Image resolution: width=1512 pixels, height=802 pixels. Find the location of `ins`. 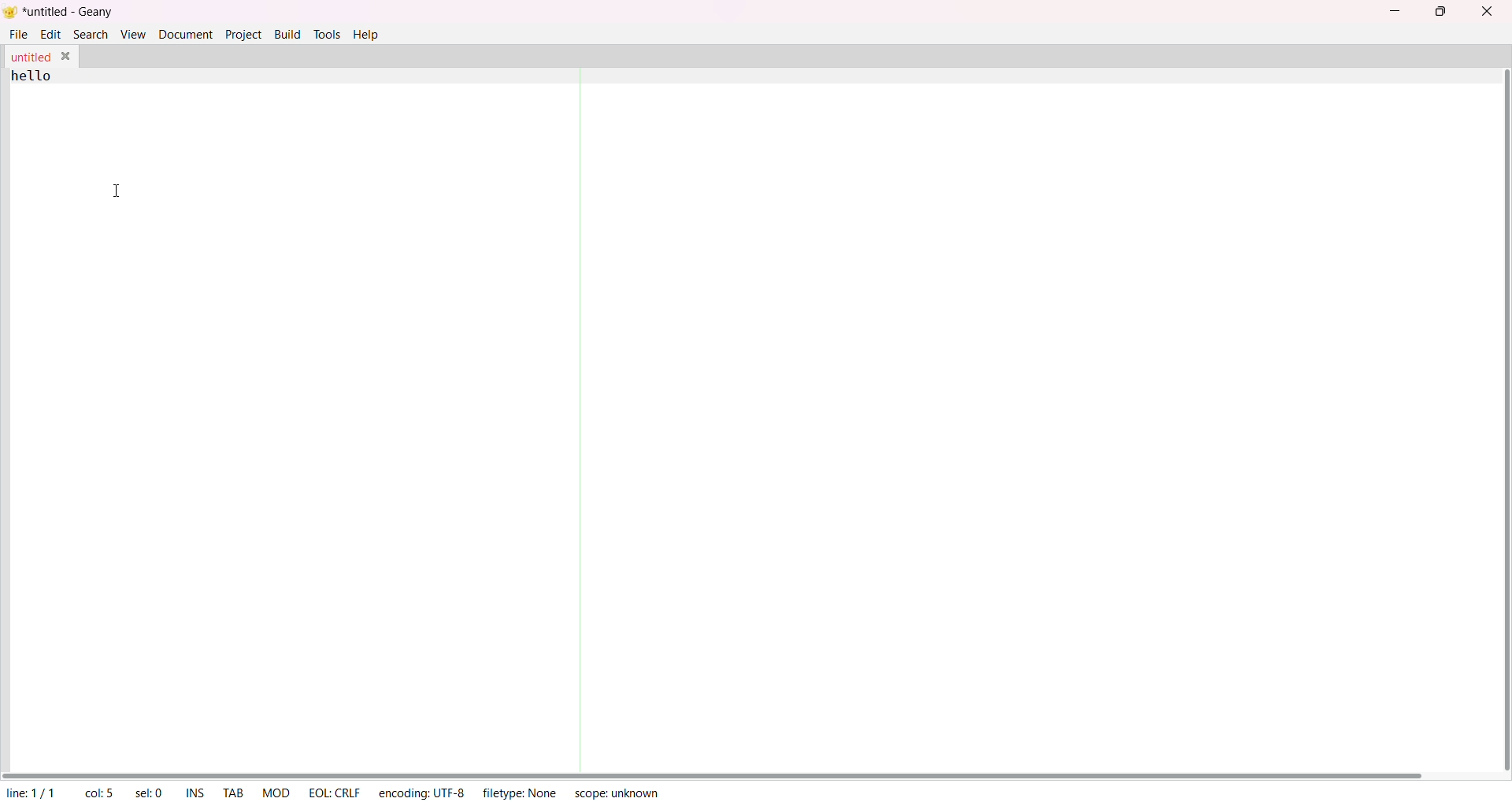

ins is located at coordinates (193, 792).